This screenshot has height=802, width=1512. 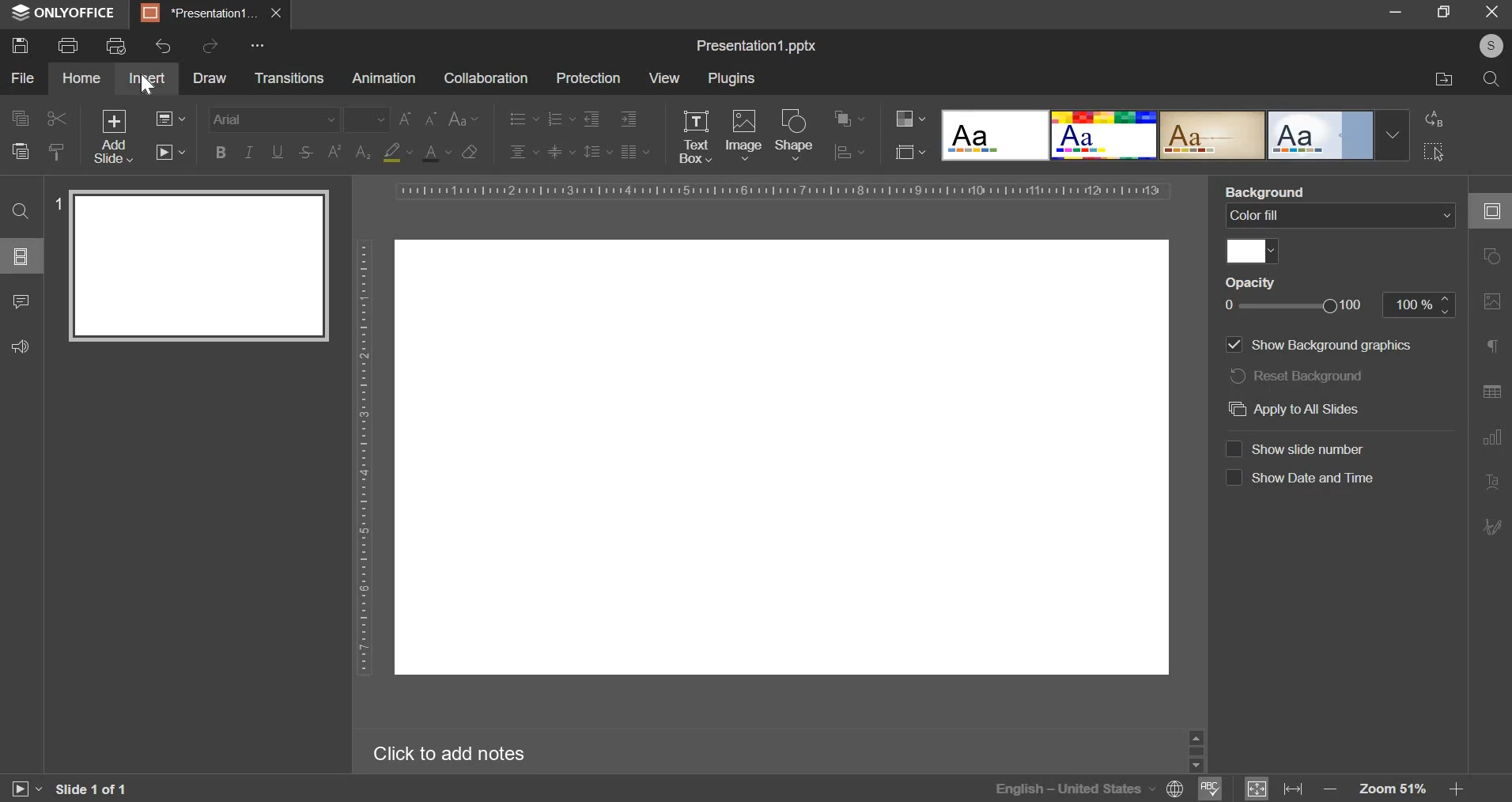 What do you see at coordinates (558, 119) in the screenshot?
I see `numbering` at bounding box center [558, 119].